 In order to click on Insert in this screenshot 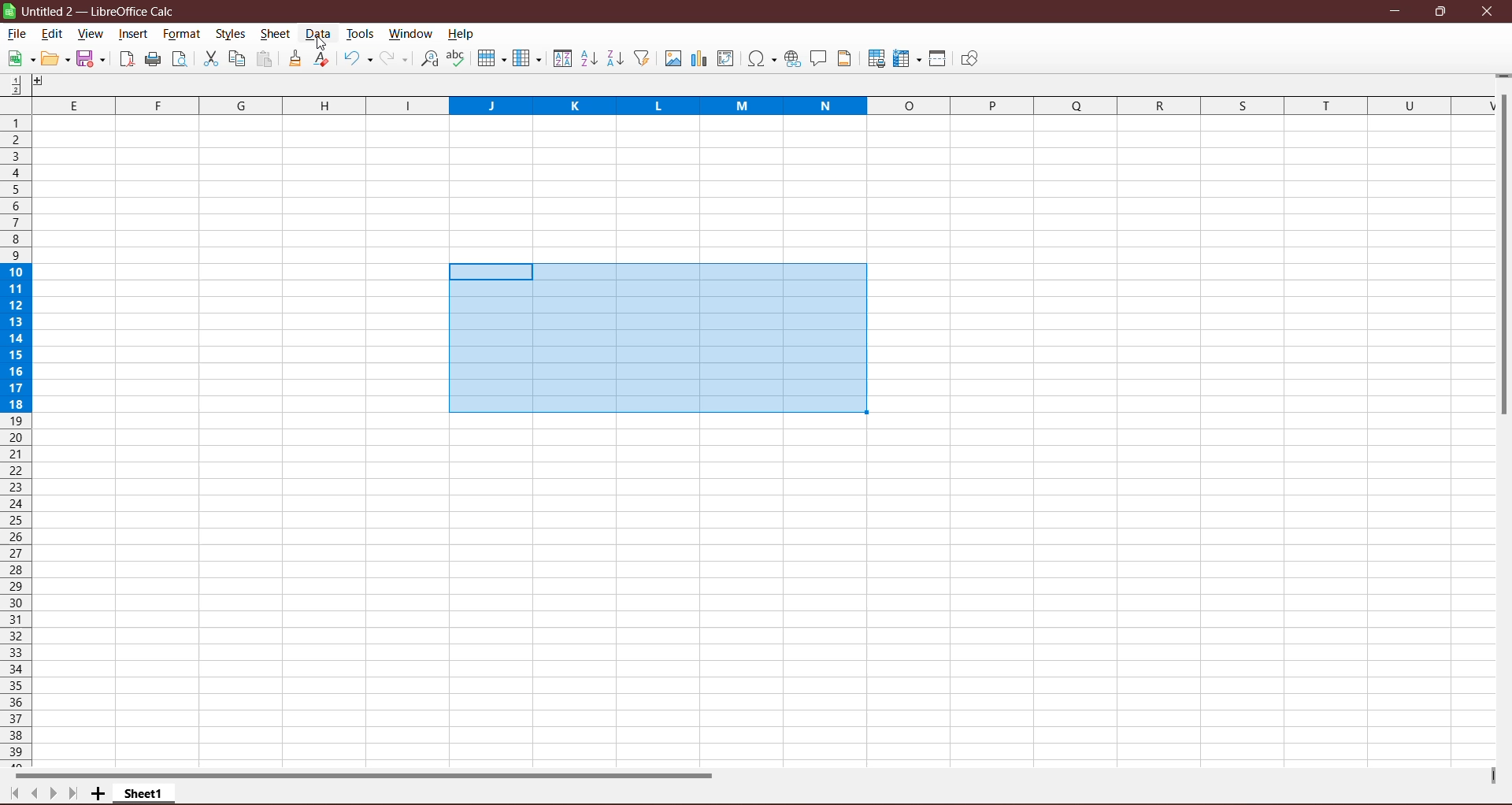, I will do `click(134, 34)`.